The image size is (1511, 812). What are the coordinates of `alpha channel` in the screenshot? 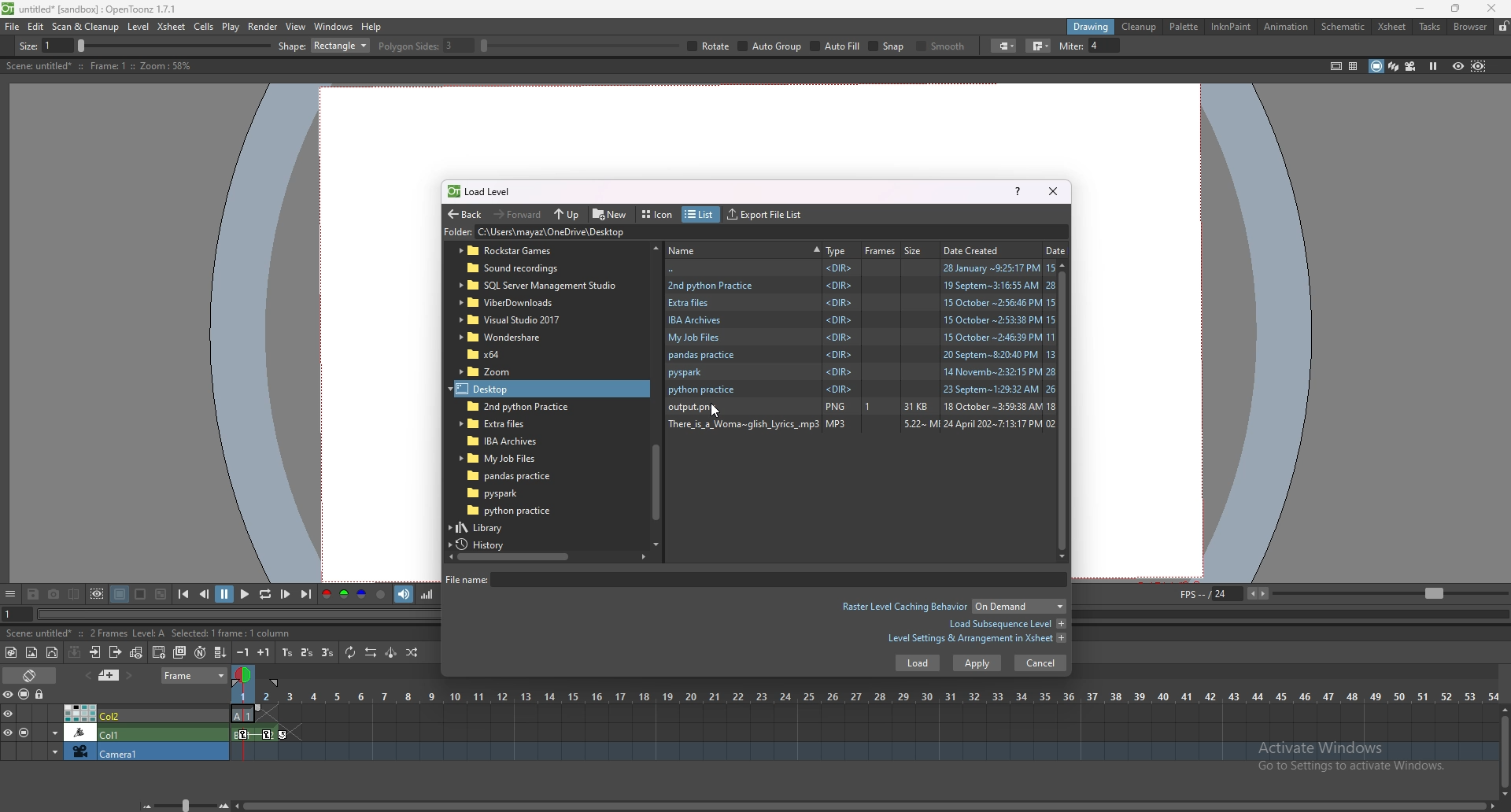 It's located at (381, 595).